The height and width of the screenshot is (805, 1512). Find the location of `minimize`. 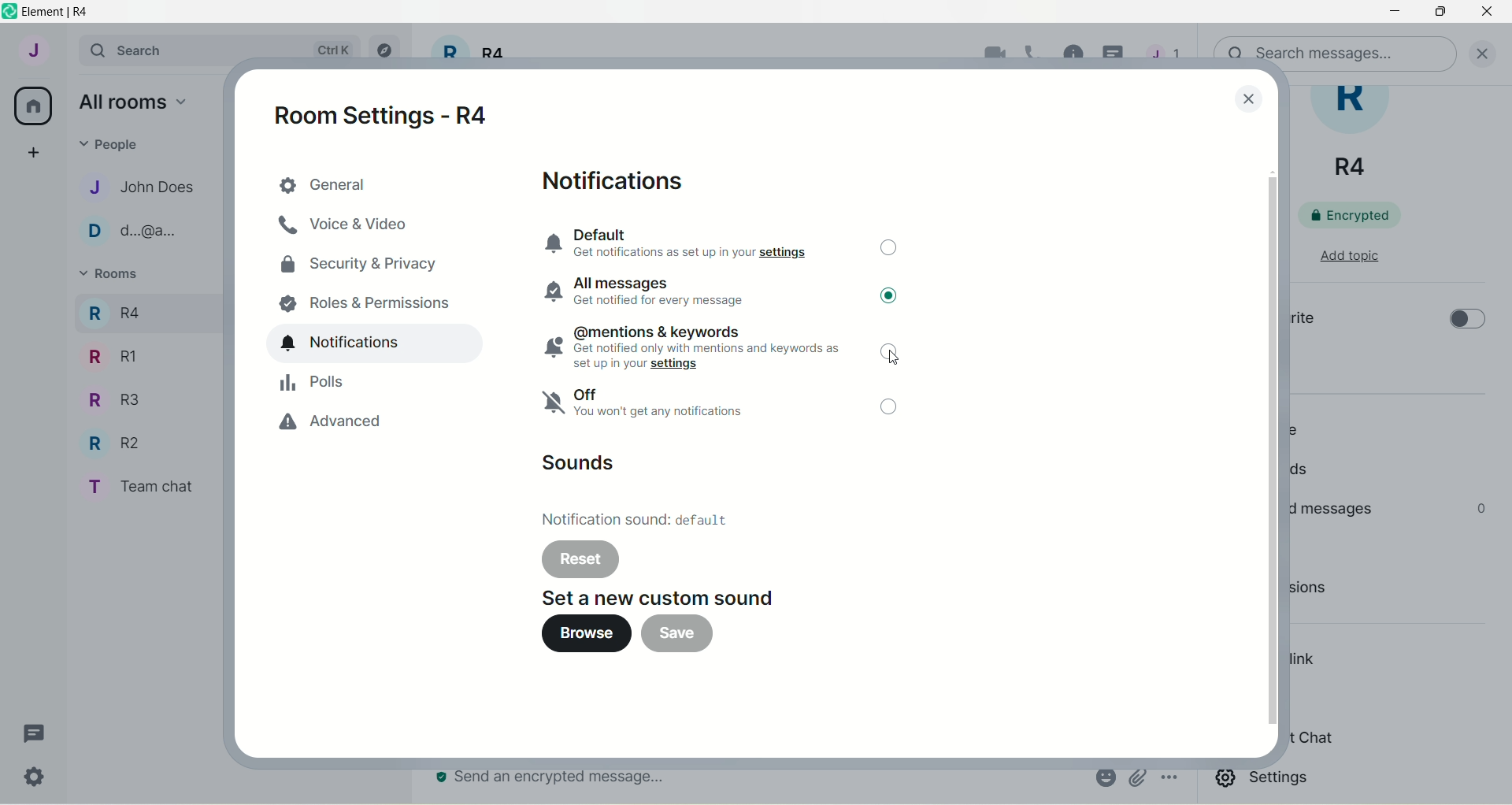

minimize is located at coordinates (1392, 13).